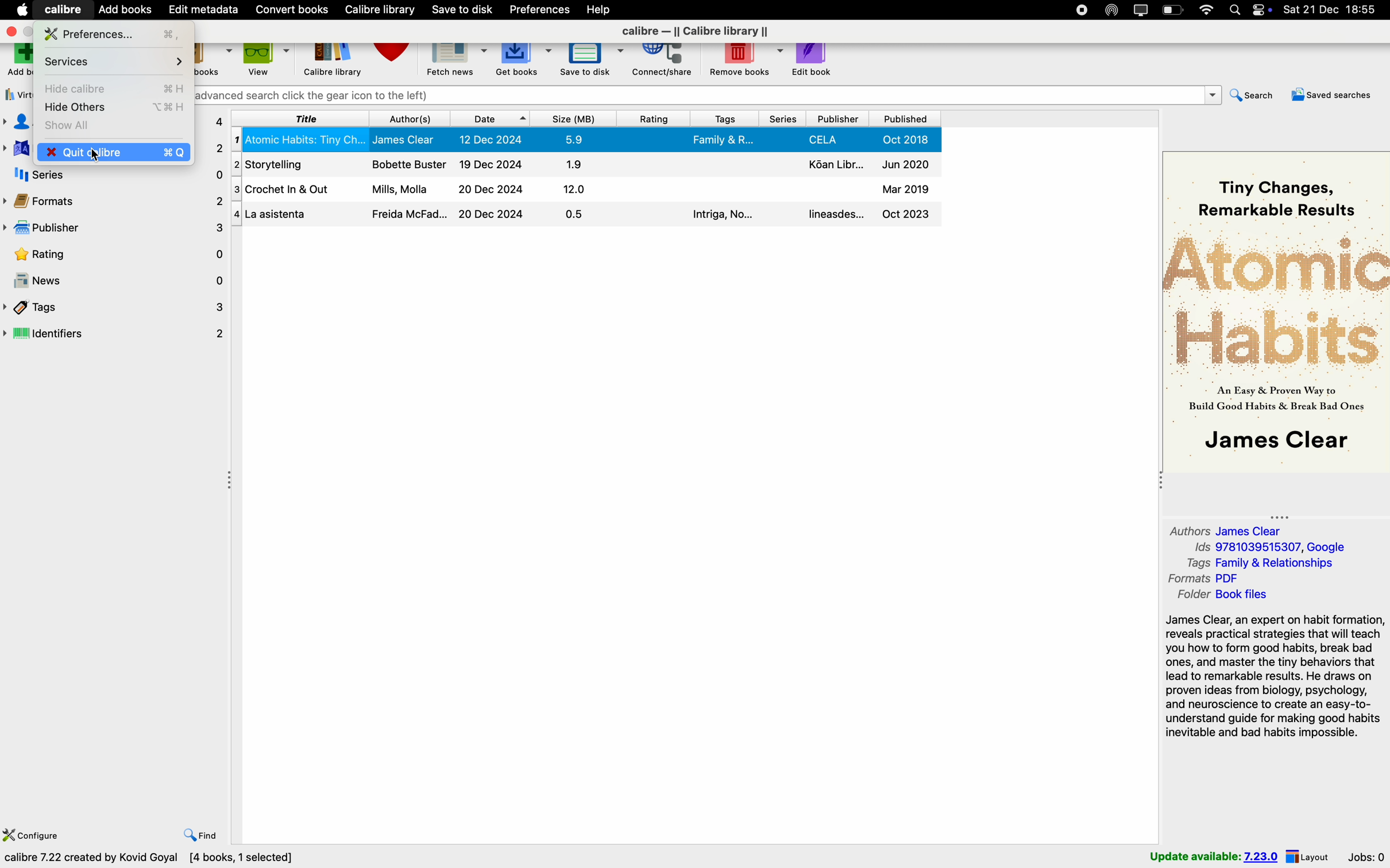  What do you see at coordinates (114, 307) in the screenshot?
I see `tags` at bounding box center [114, 307].